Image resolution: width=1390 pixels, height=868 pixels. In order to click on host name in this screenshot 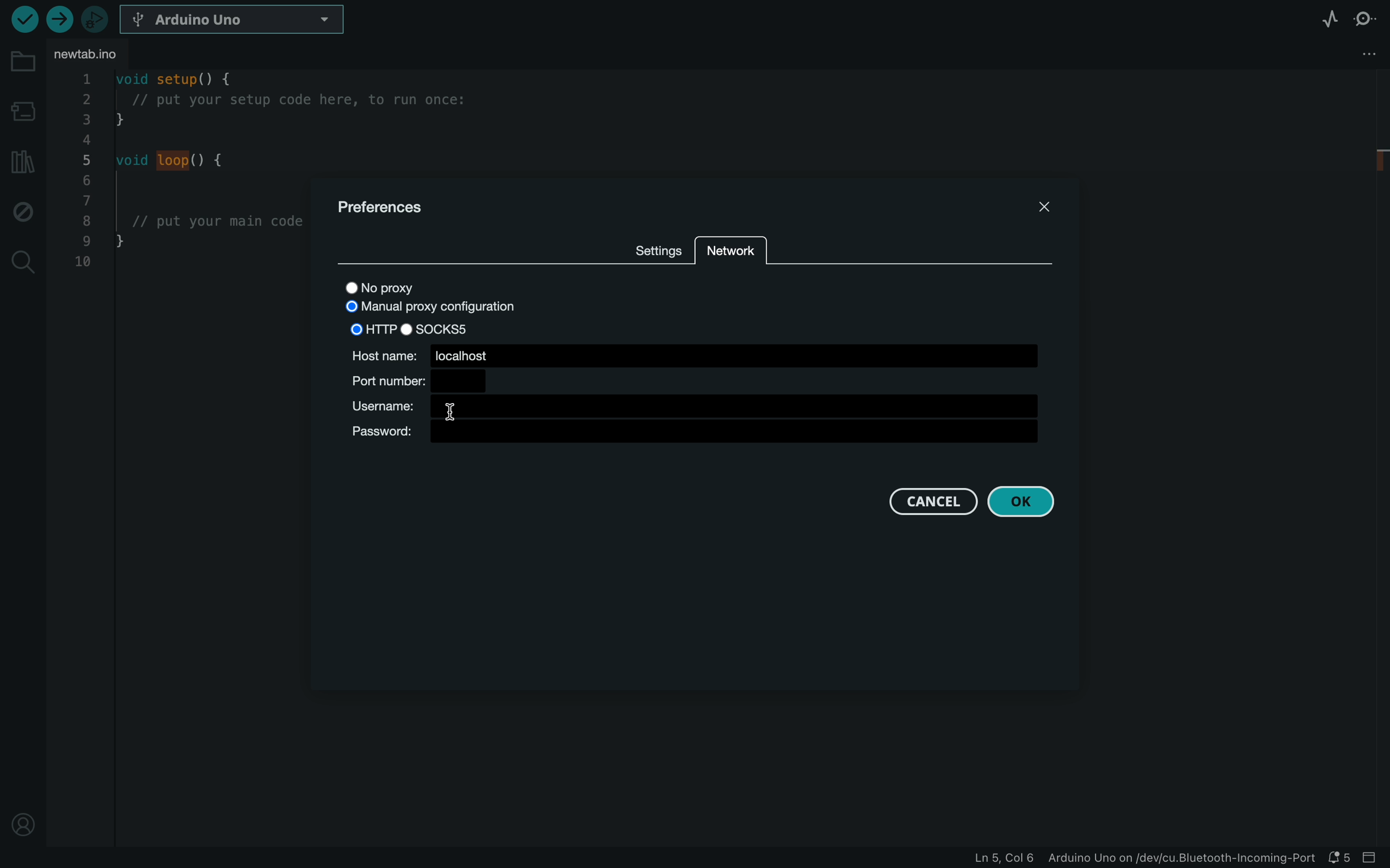, I will do `click(694, 354)`.